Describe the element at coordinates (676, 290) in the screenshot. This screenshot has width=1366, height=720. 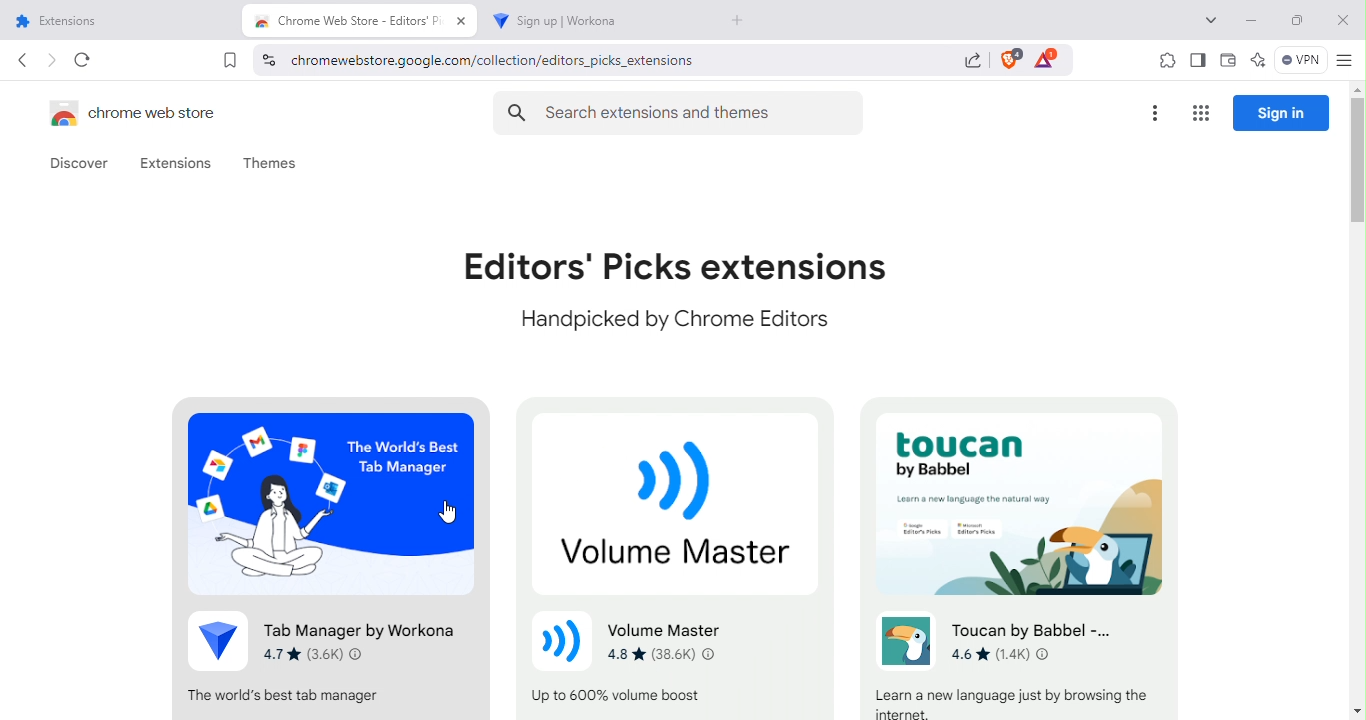
I see `Featured extensions` at that location.